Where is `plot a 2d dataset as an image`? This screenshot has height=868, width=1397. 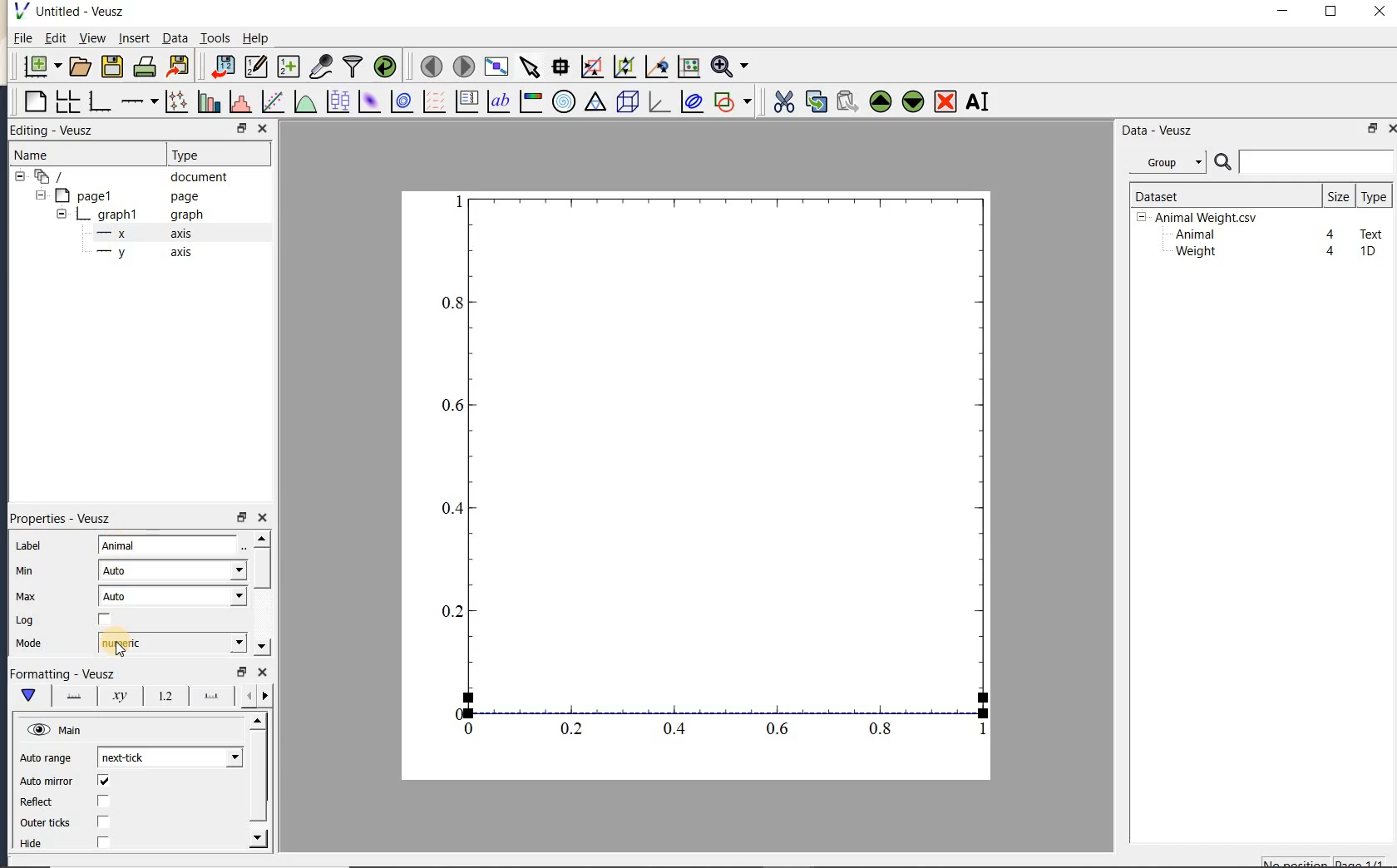 plot a 2d dataset as an image is located at coordinates (368, 101).